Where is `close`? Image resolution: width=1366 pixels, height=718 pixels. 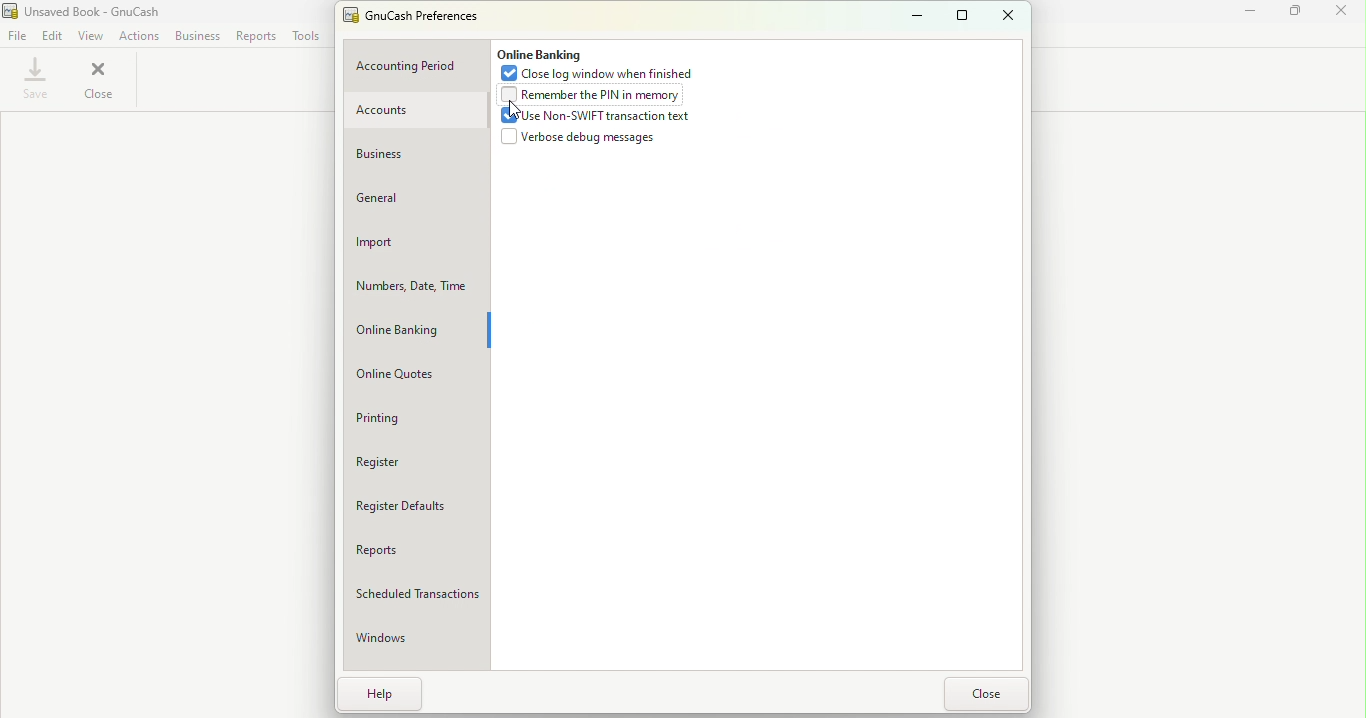
close is located at coordinates (984, 694).